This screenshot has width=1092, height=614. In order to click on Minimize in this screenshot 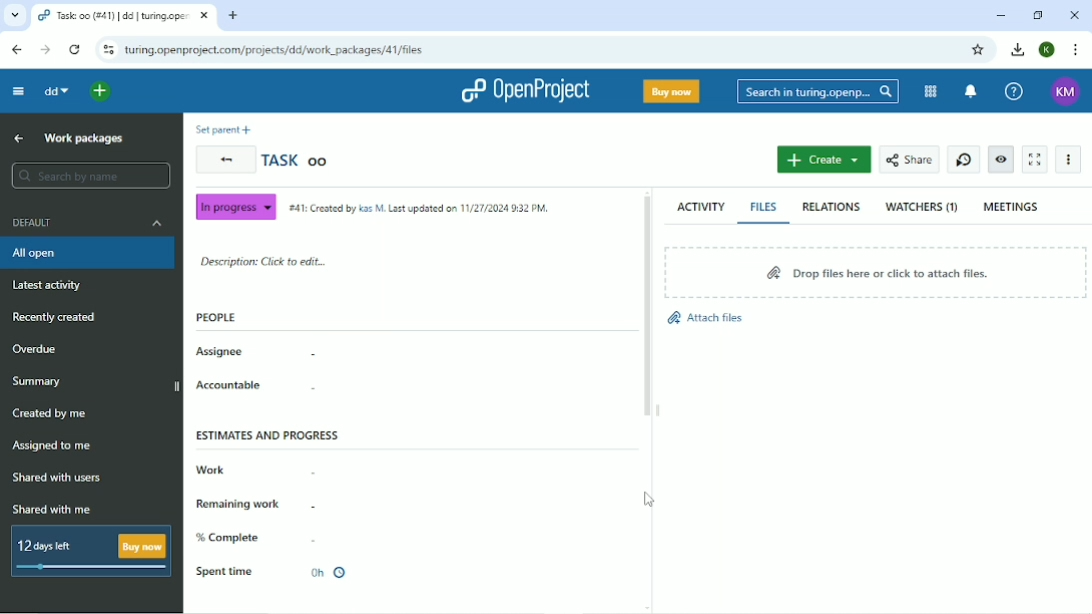, I will do `click(1003, 15)`.